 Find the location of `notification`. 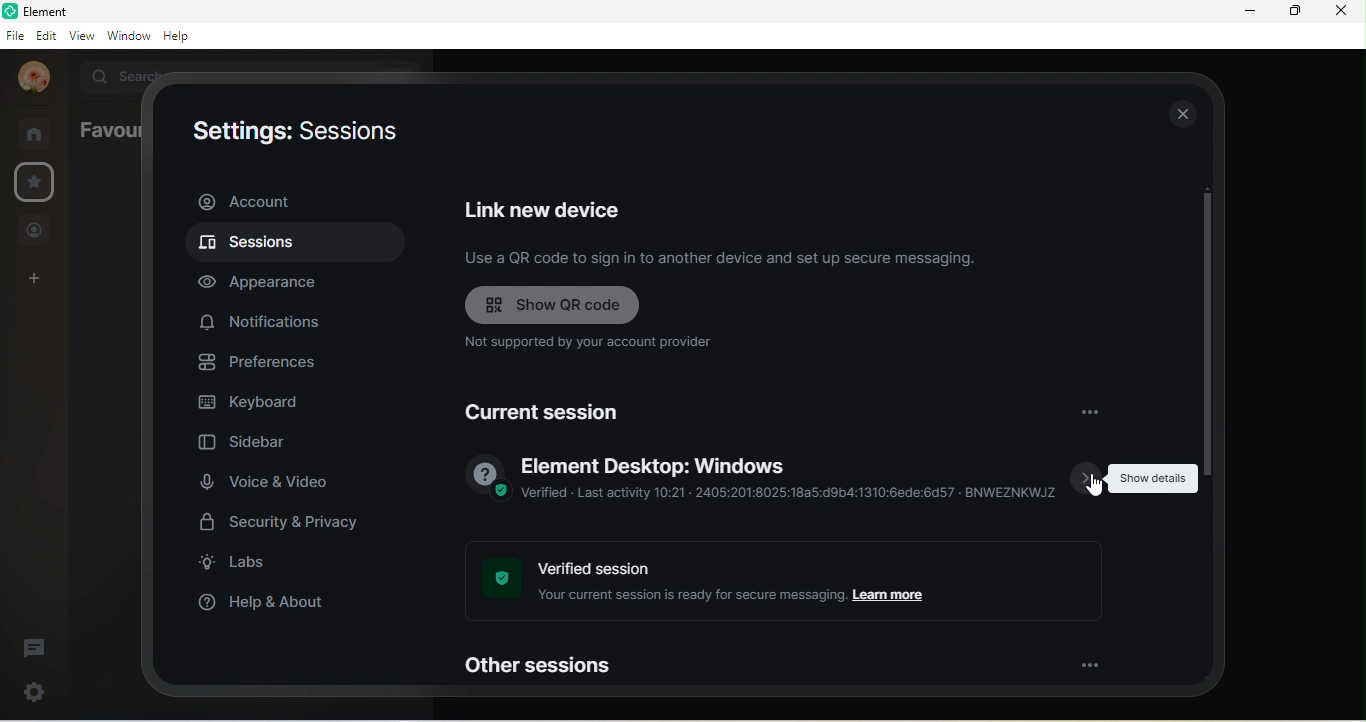

notification is located at coordinates (265, 320).